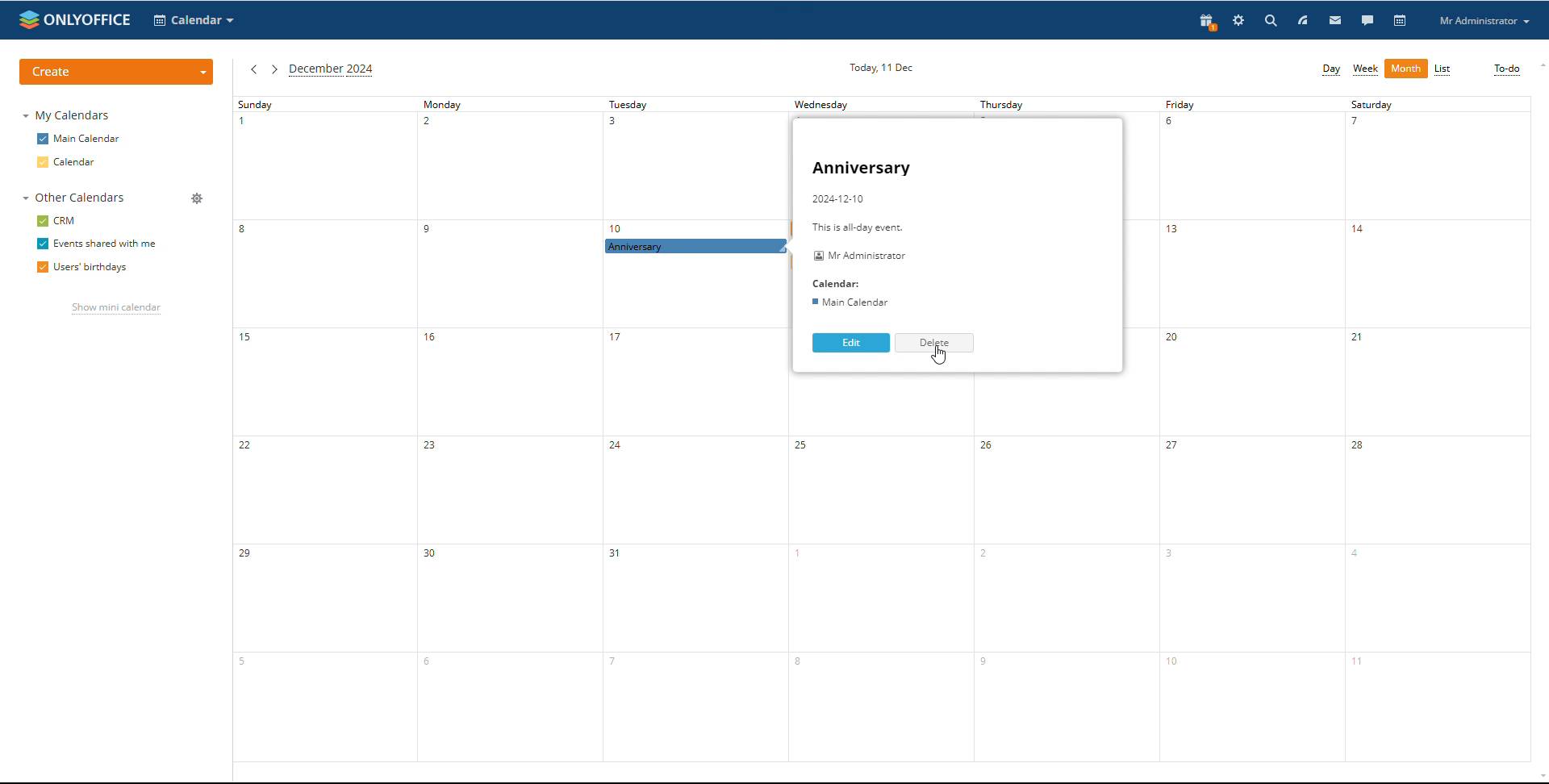 This screenshot has height=784, width=1549. What do you see at coordinates (837, 283) in the screenshot?
I see `Calendar` at bounding box center [837, 283].